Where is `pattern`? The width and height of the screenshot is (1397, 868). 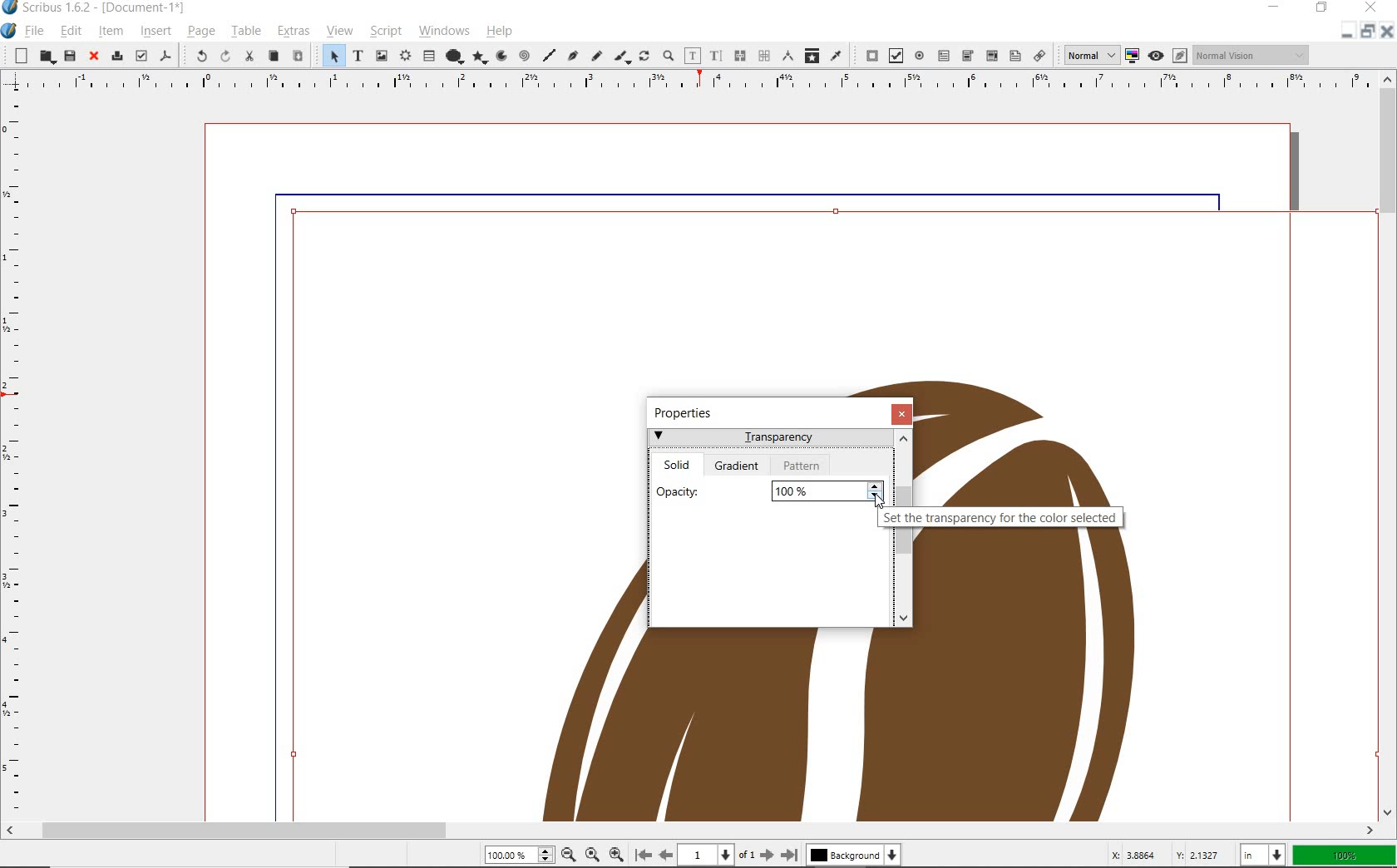 pattern is located at coordinates (802, 465).